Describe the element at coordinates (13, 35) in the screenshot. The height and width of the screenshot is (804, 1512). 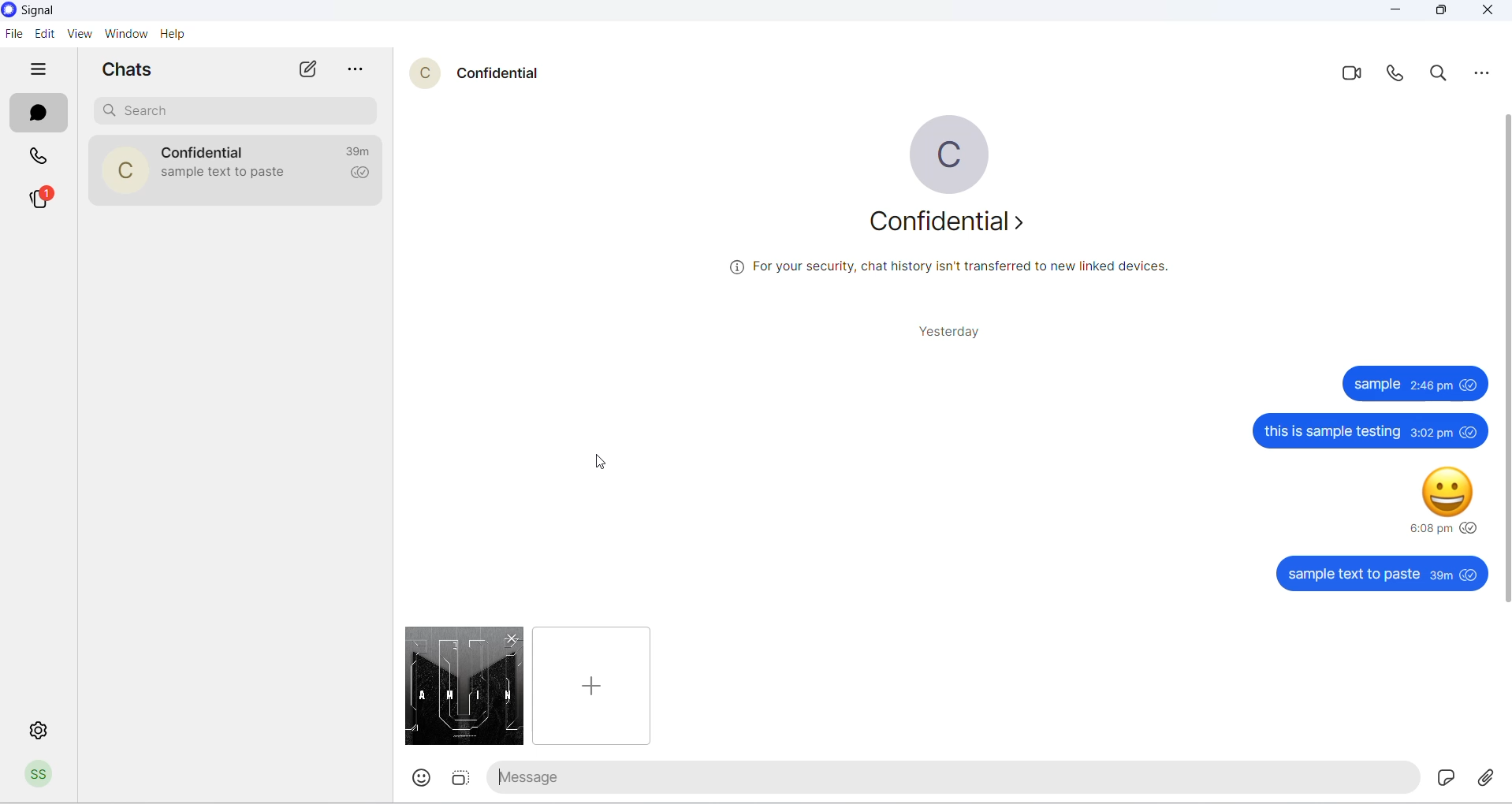
I see `file` at that location.